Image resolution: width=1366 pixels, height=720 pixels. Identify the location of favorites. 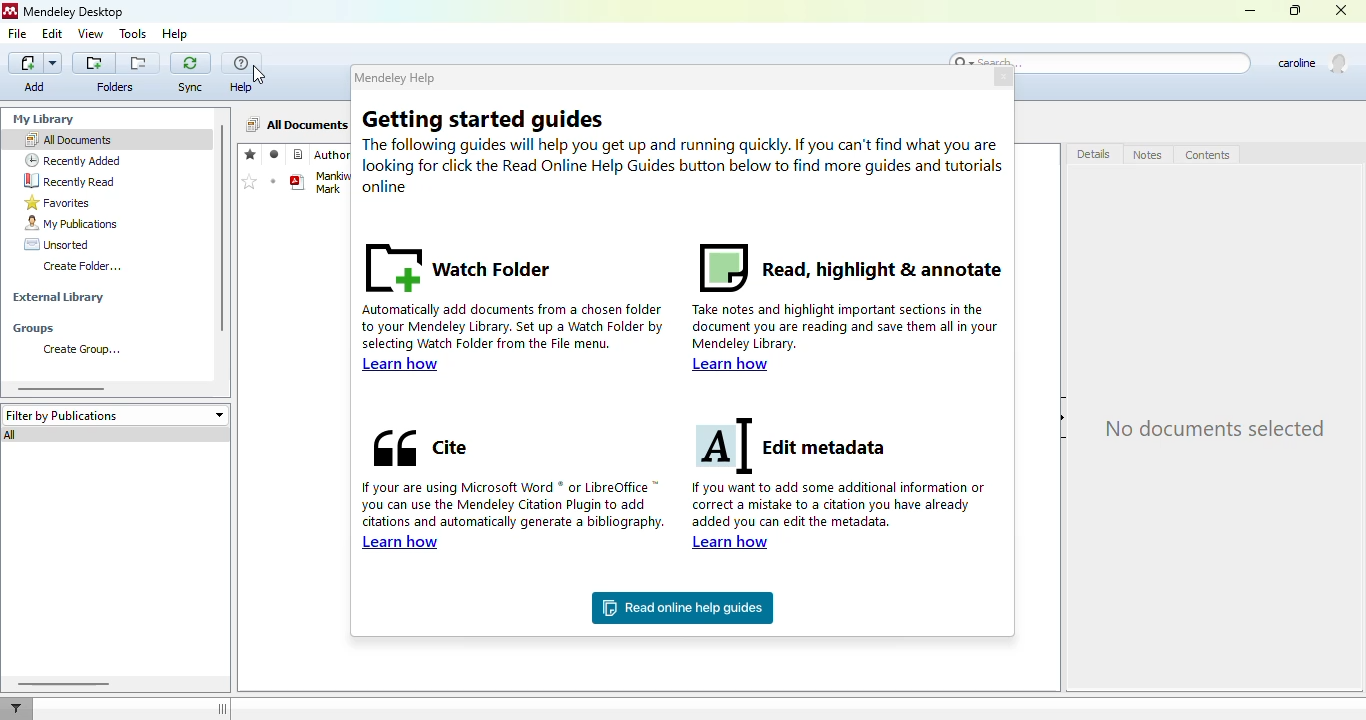
(57, 202).